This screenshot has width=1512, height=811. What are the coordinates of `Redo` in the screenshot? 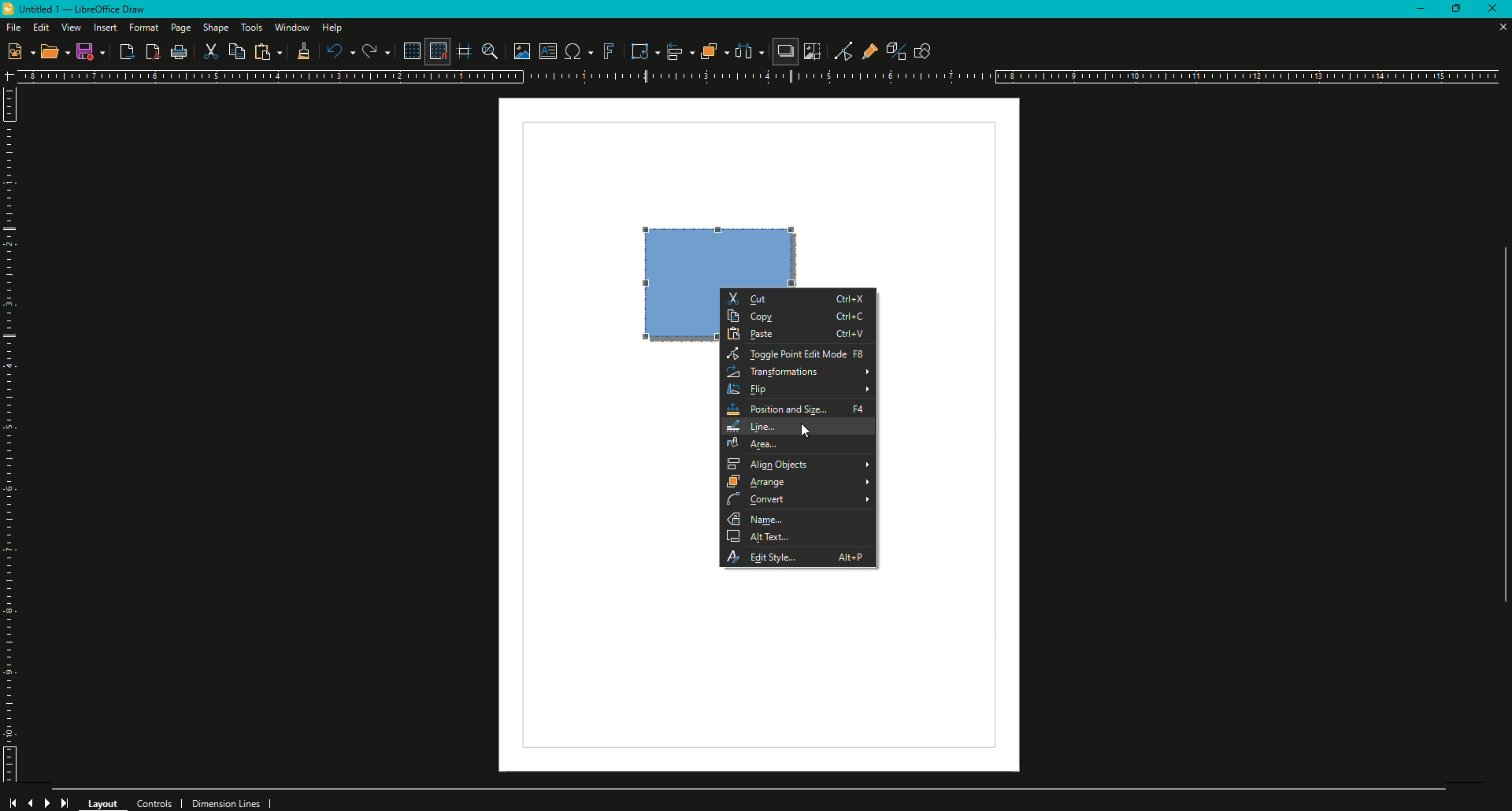 It's located at (375, 51).